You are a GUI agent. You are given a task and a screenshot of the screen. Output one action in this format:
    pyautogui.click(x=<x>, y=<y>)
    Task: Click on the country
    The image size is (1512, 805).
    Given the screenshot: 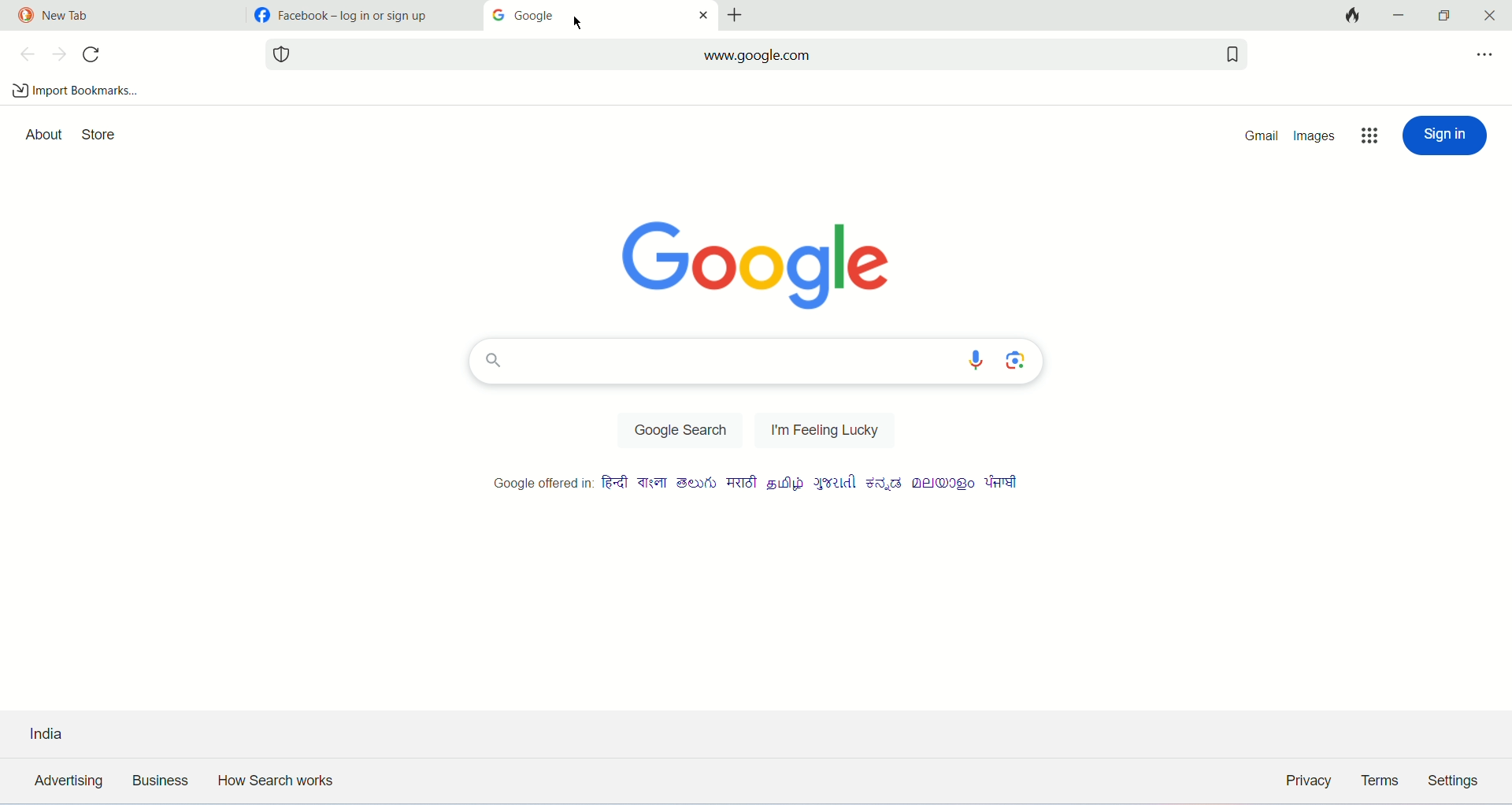 What is the action you would take?
    pyautogui.click(x=79, y=732)
    